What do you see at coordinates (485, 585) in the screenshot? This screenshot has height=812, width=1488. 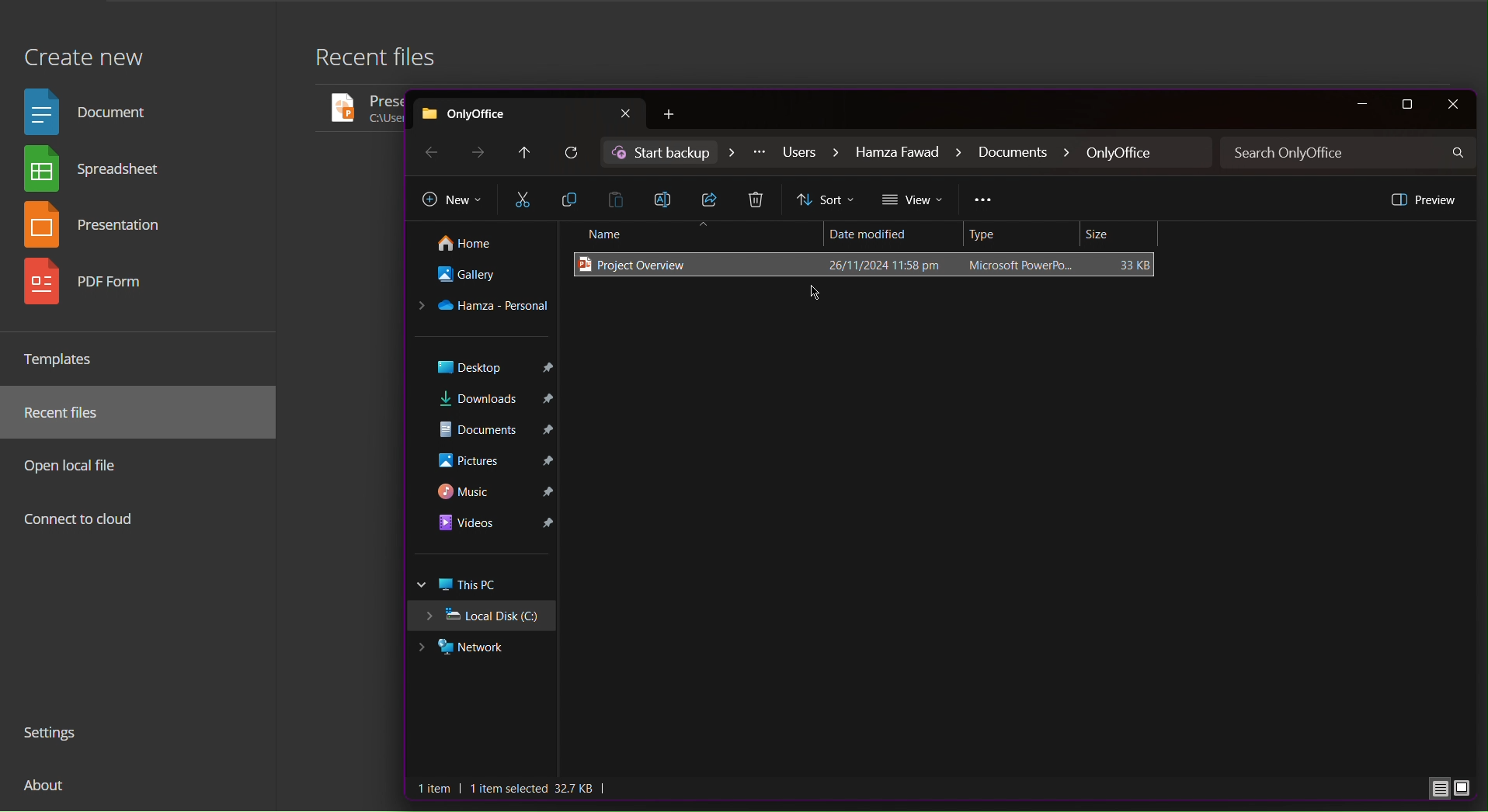 I see `This PC` at bounding box center [485, 585].